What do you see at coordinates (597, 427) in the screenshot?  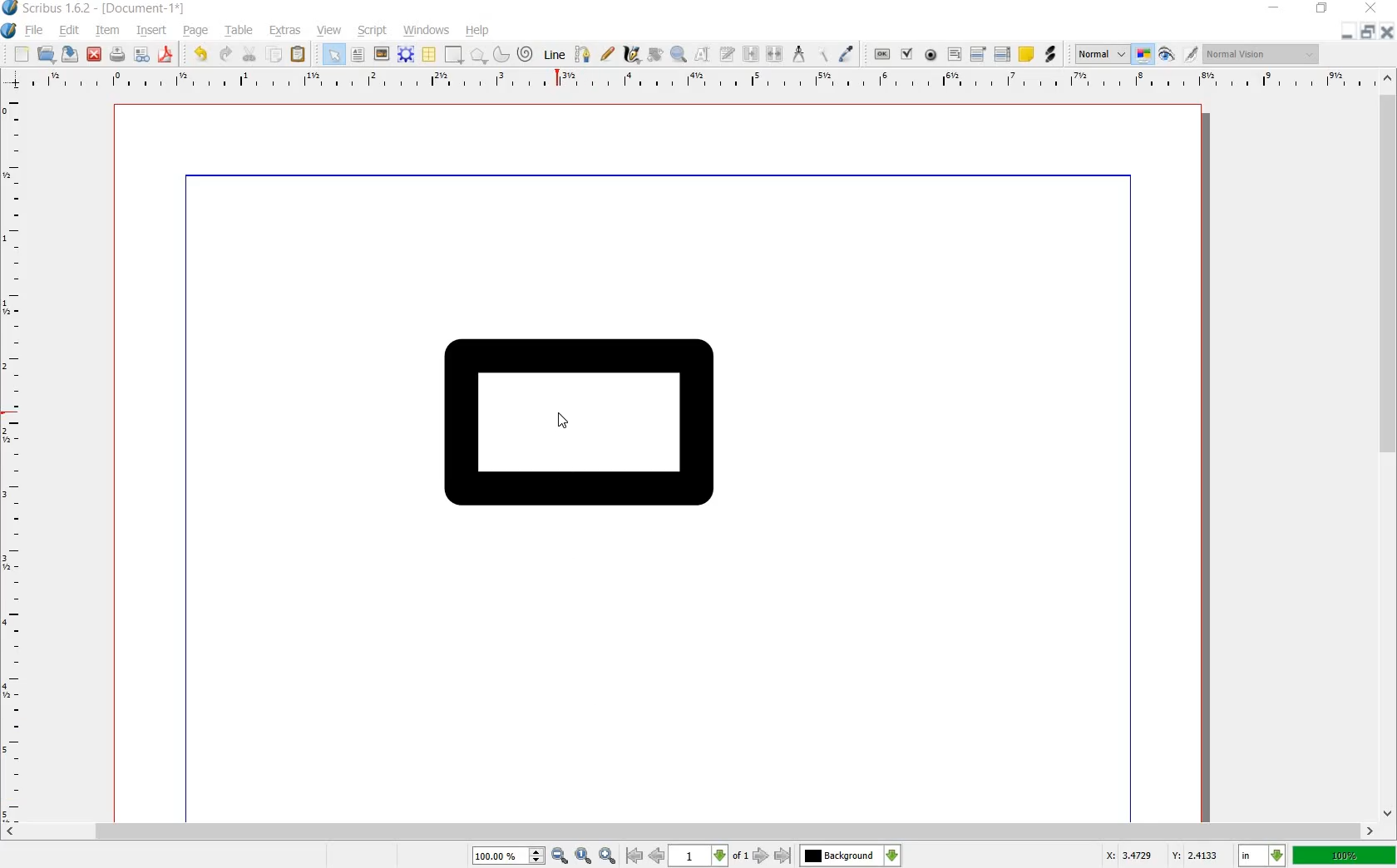 I see `Framed bolded rectangle` at bounding box center [597, 427].